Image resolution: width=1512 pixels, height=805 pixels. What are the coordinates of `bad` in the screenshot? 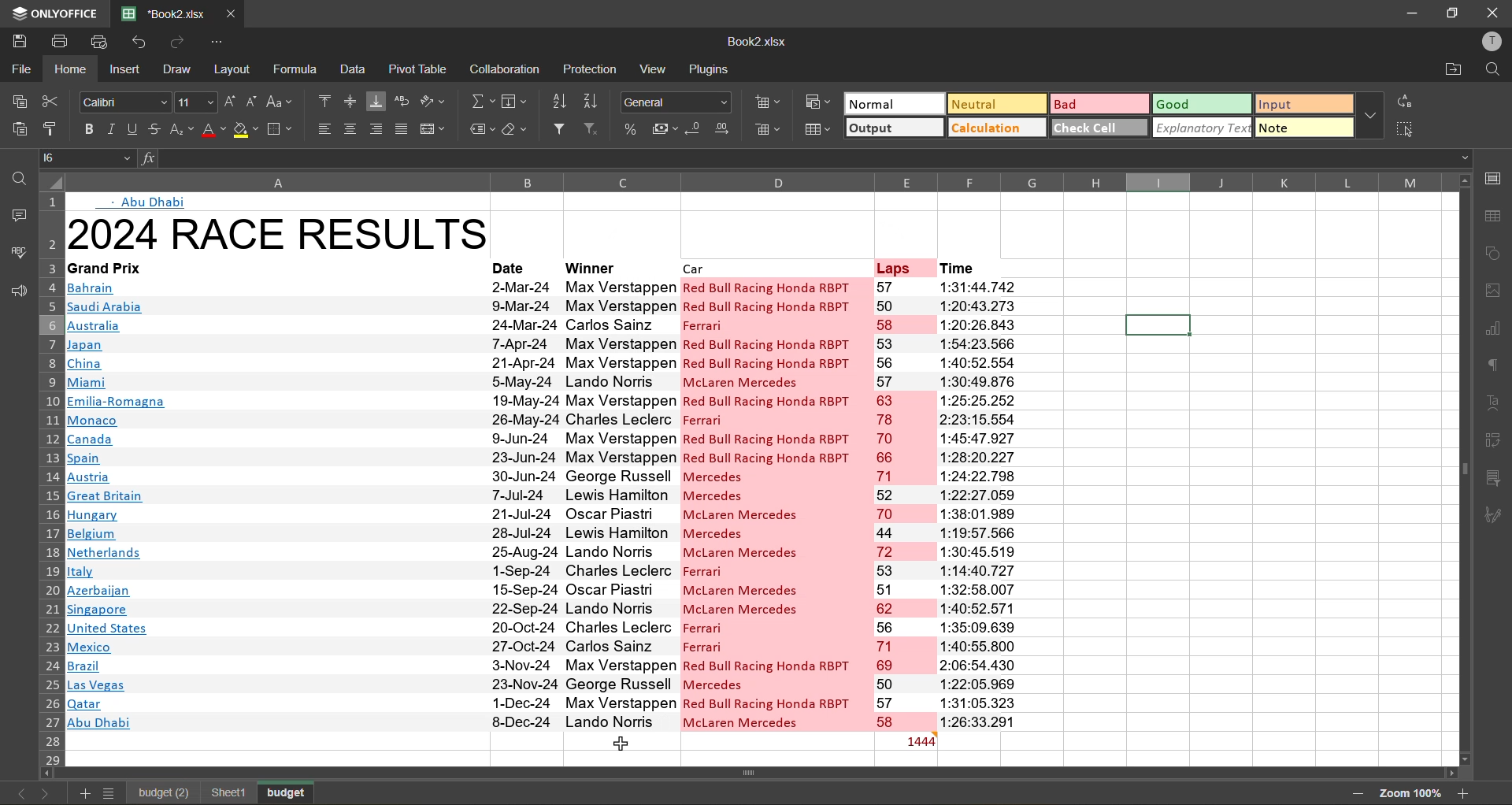 It's located at (1097, 103).